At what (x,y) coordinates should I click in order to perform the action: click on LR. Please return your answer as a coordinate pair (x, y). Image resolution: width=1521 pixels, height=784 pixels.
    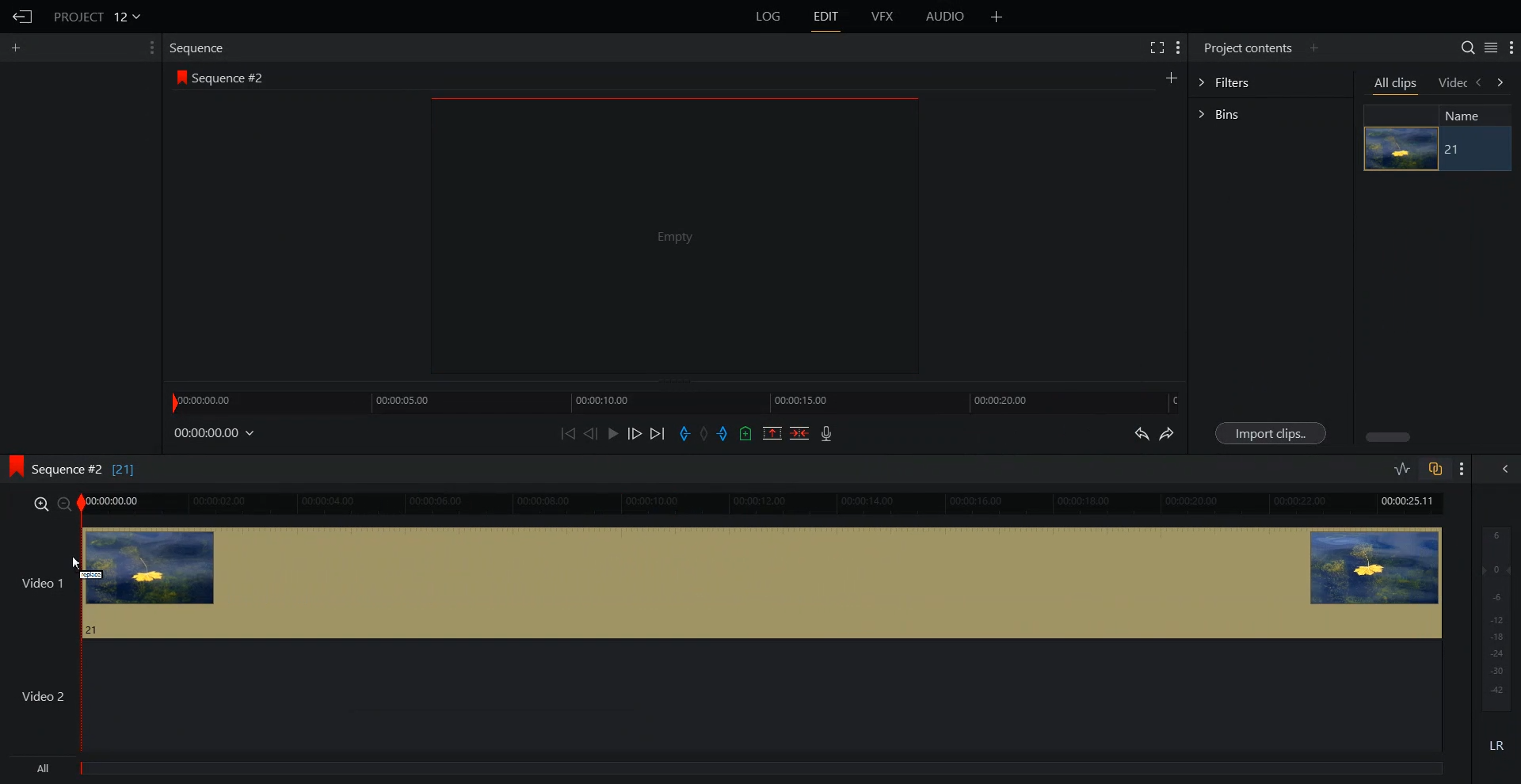
    Looking at the image, I should click on (1497, 742).